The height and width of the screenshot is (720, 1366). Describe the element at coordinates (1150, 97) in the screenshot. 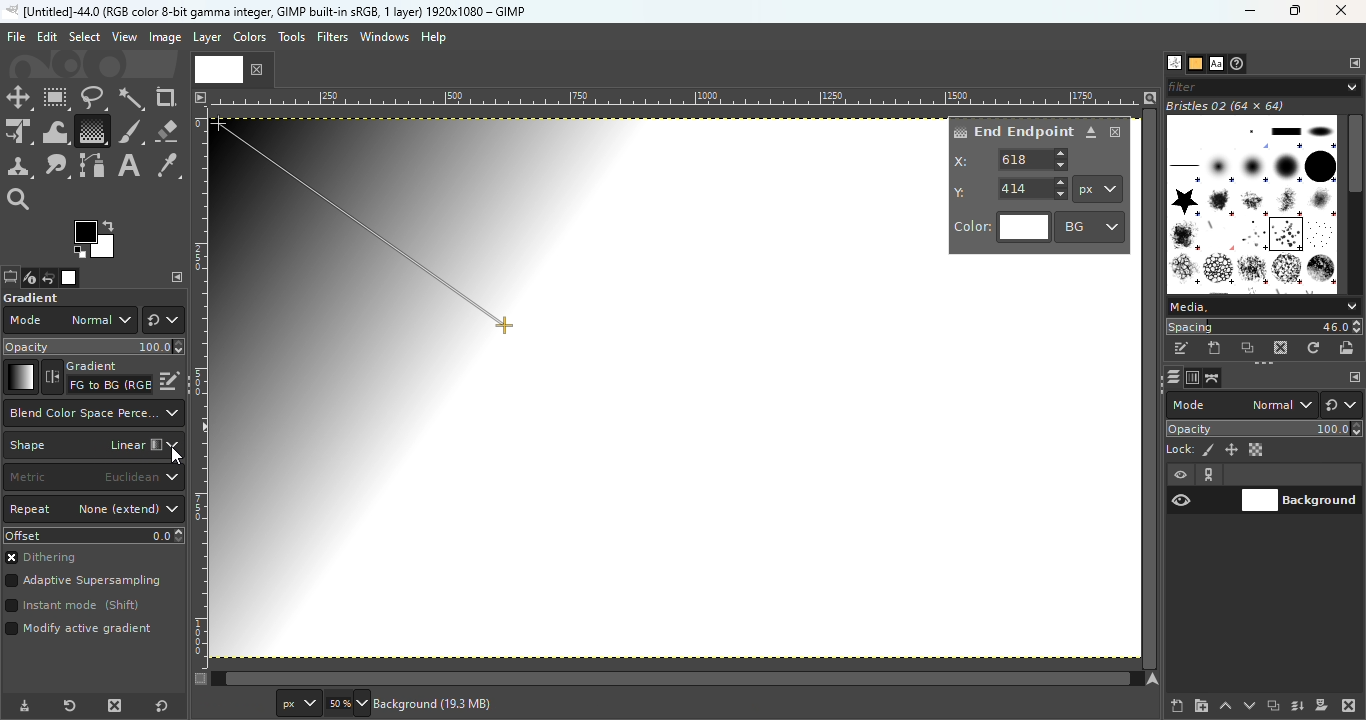

I see `Zoom image when window size changes` at that location.